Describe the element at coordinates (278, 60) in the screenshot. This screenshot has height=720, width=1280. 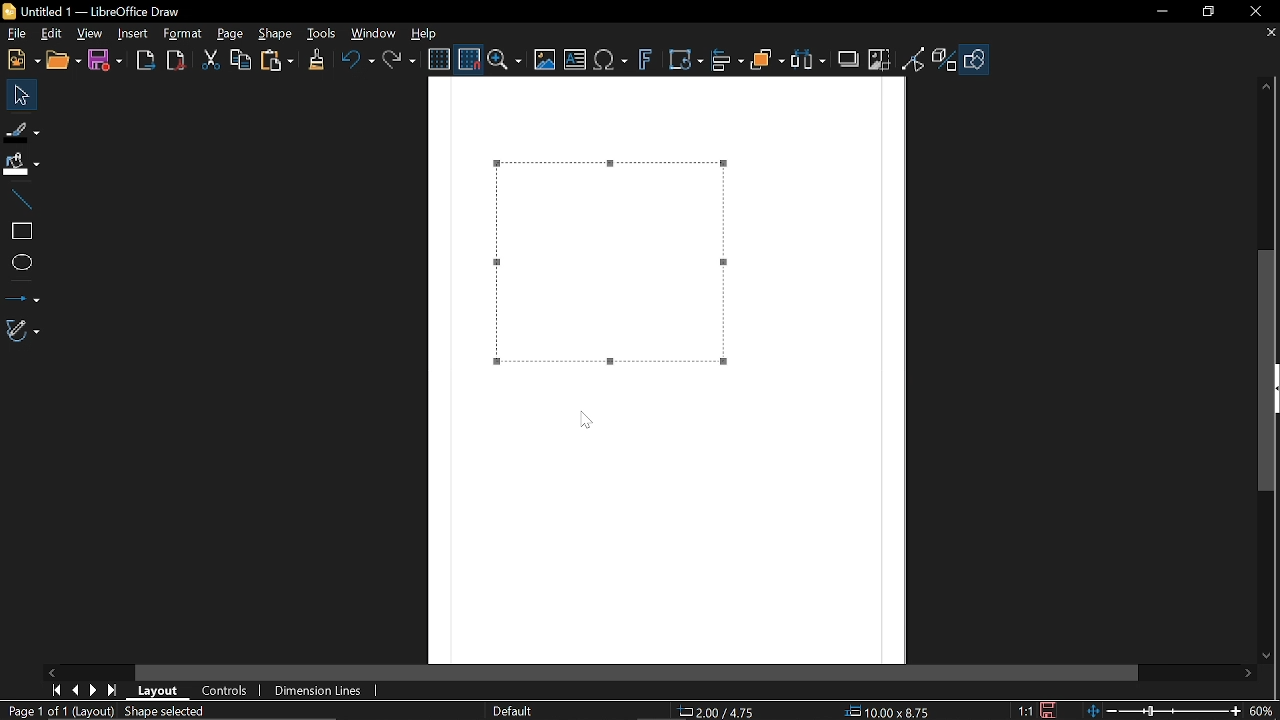
I see `paste` at that location.